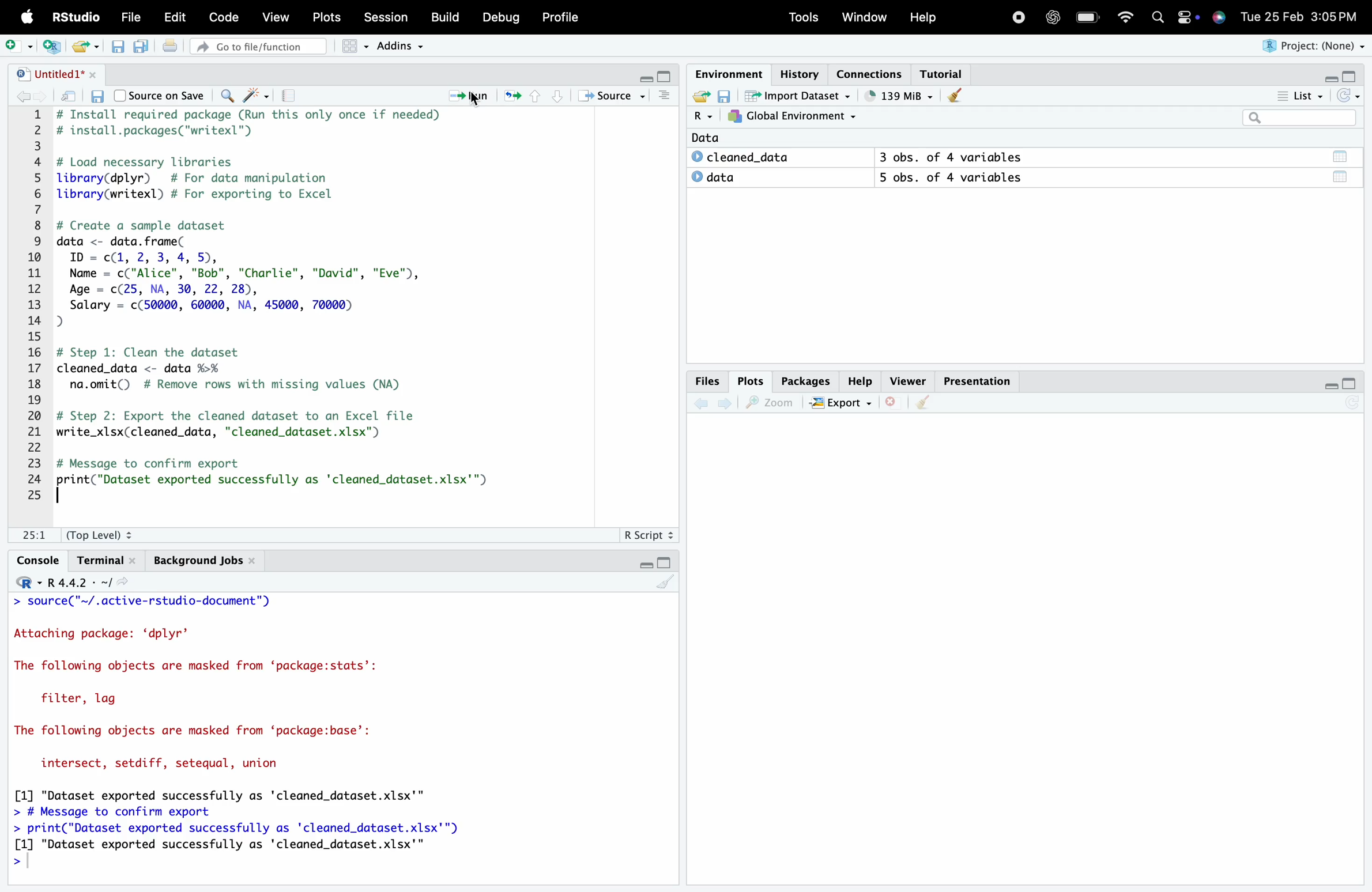  What do you see at coordinates (444, 18) in the screenshot?
I see `Build` at bounding box center [444, 18].